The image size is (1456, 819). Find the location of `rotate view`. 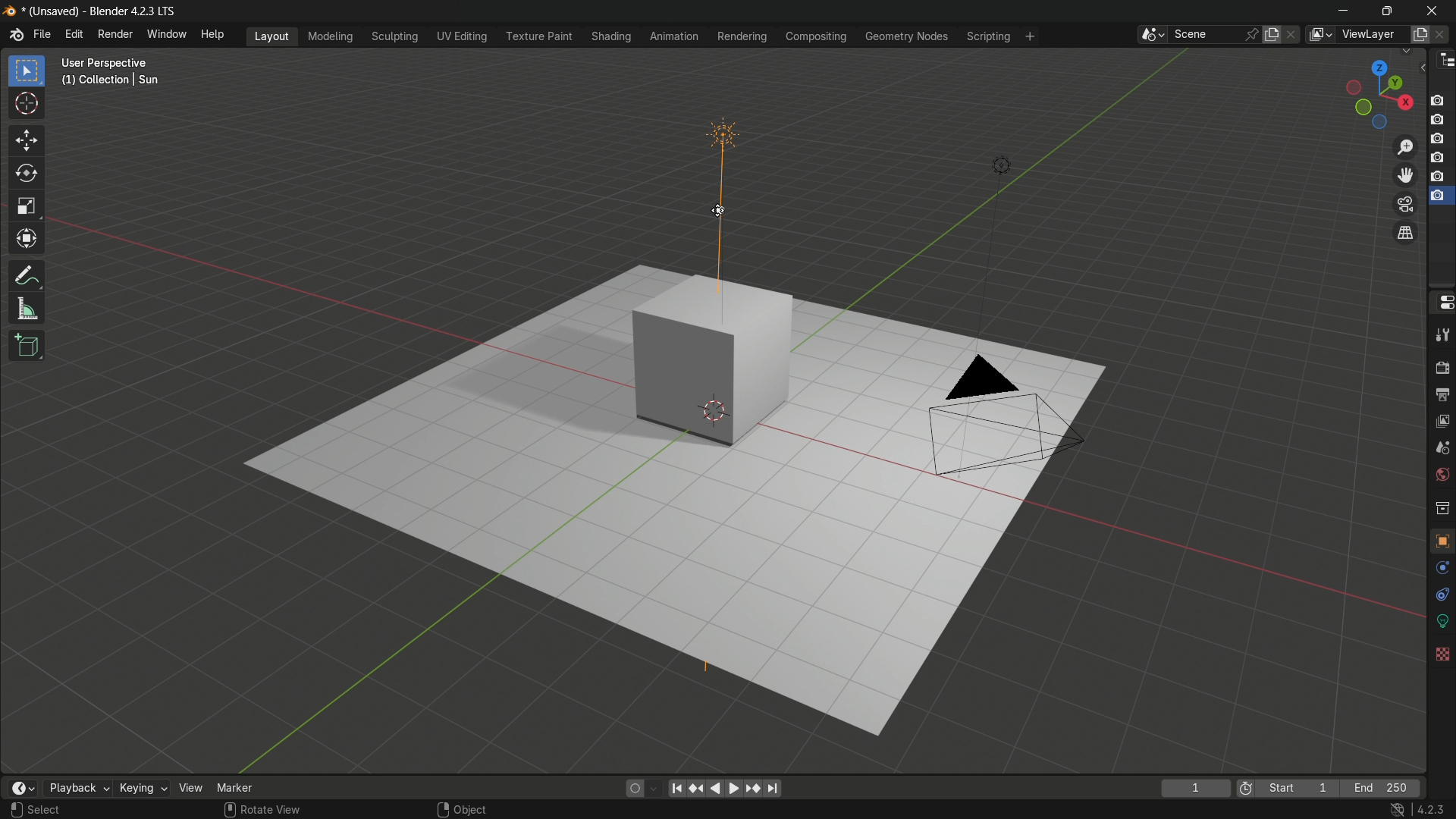

rotate view is located at coordinates (272, 810).